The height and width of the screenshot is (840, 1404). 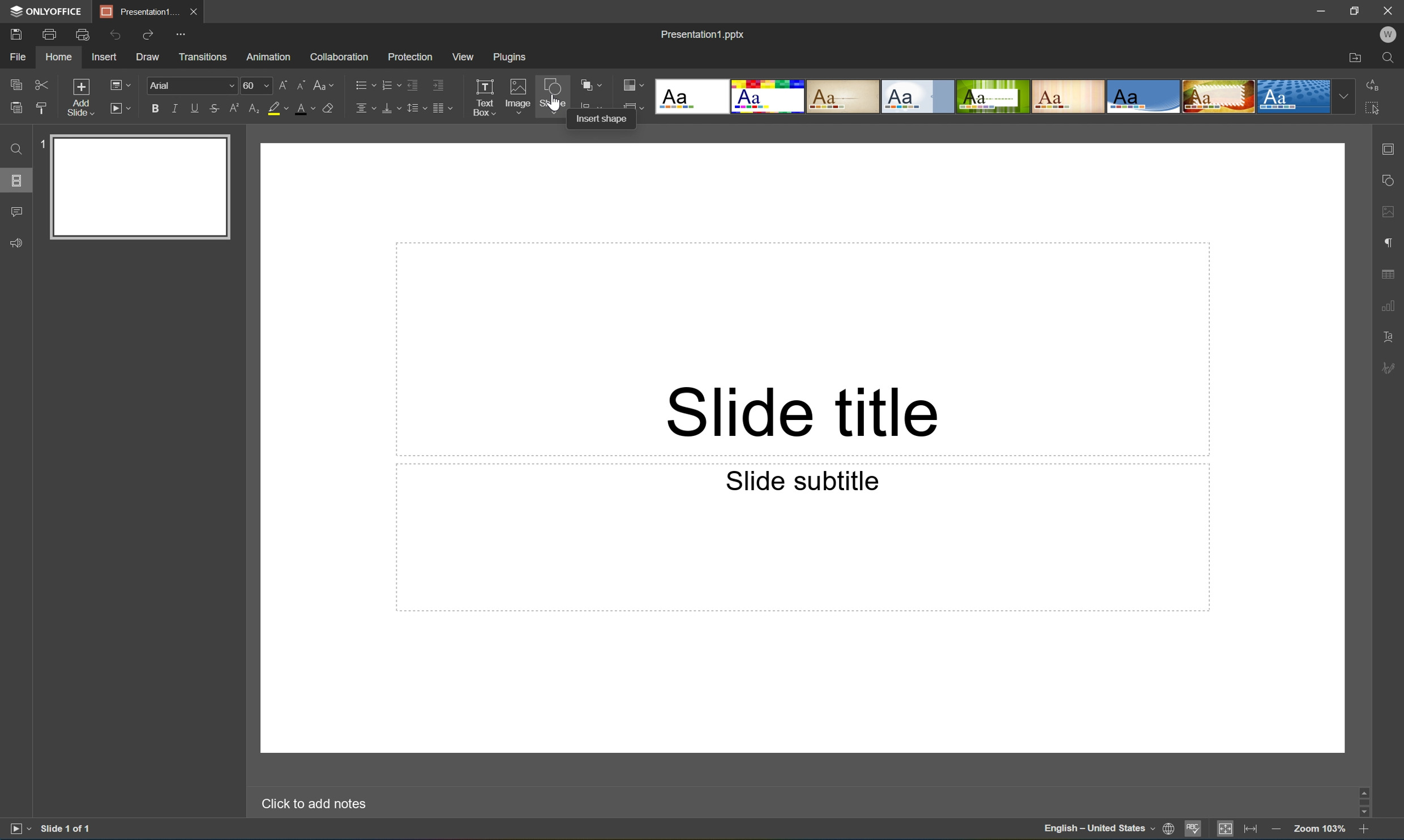 I want to click on Underline, so click(x=194, y=108).